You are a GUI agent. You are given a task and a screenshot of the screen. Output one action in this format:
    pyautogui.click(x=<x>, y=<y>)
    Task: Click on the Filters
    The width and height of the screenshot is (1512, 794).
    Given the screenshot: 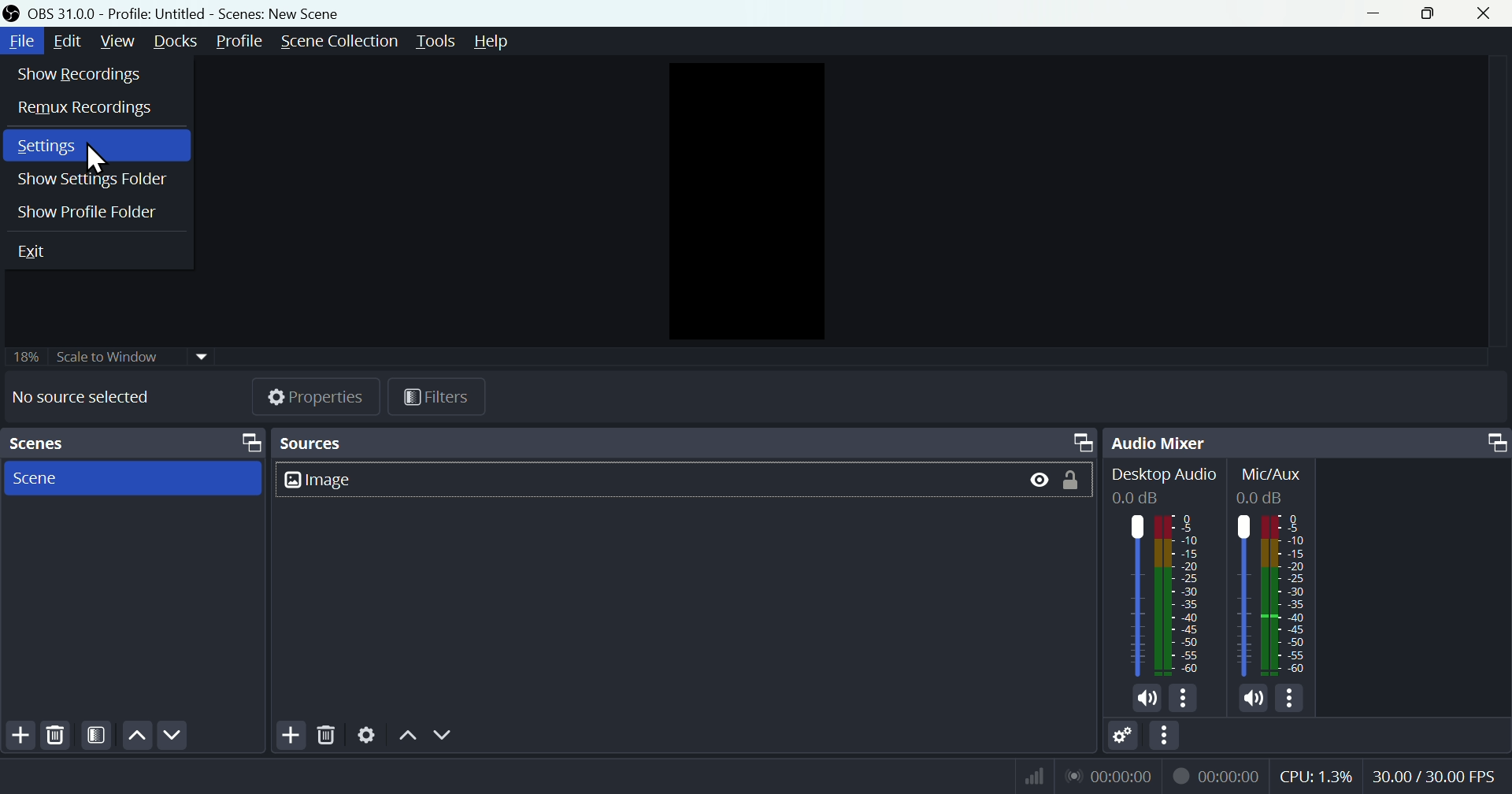 What is the action you would take?
    pyautogui.click(x=435, y=395)
    